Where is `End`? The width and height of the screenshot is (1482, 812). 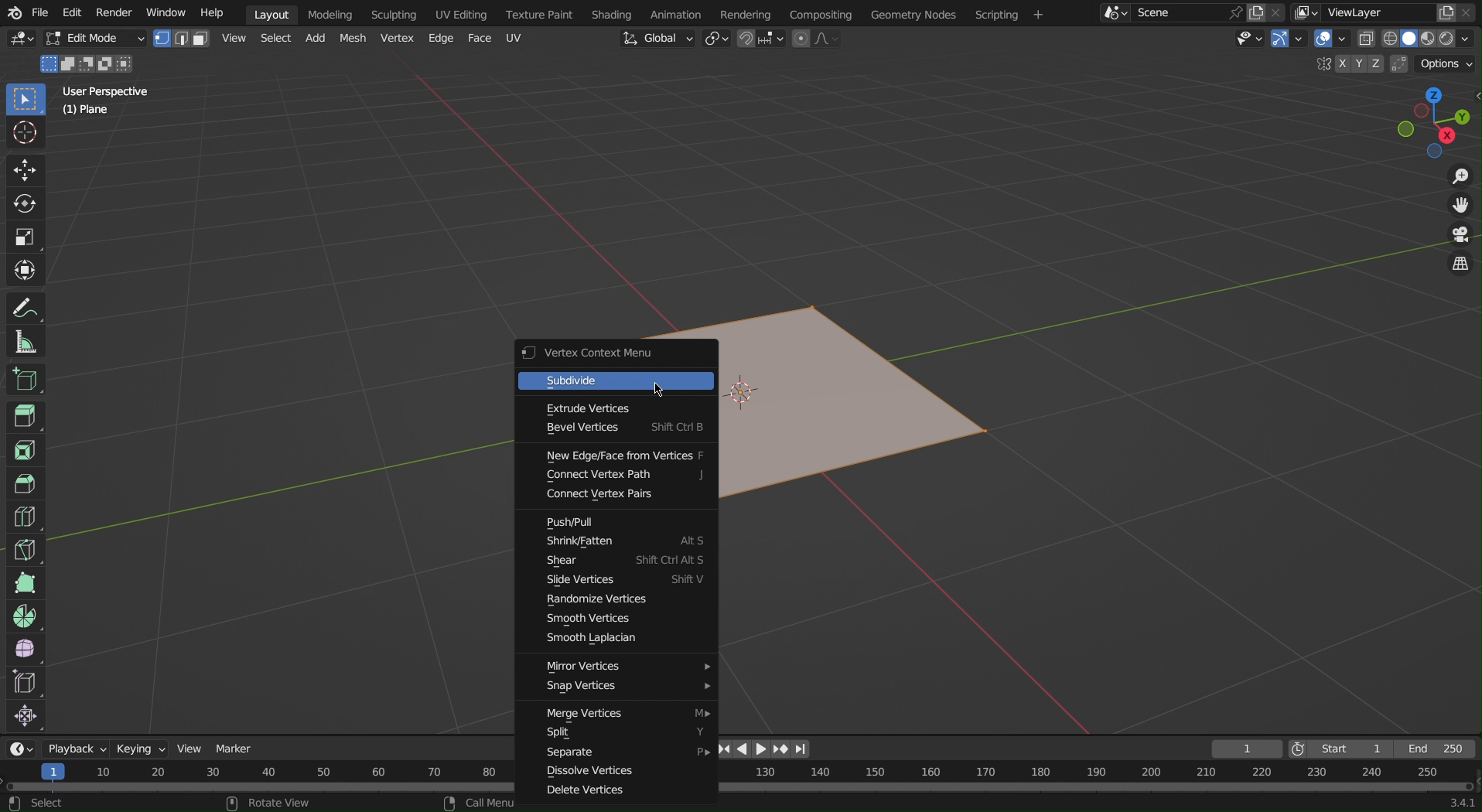 End is located at coordinates (1434, 750).